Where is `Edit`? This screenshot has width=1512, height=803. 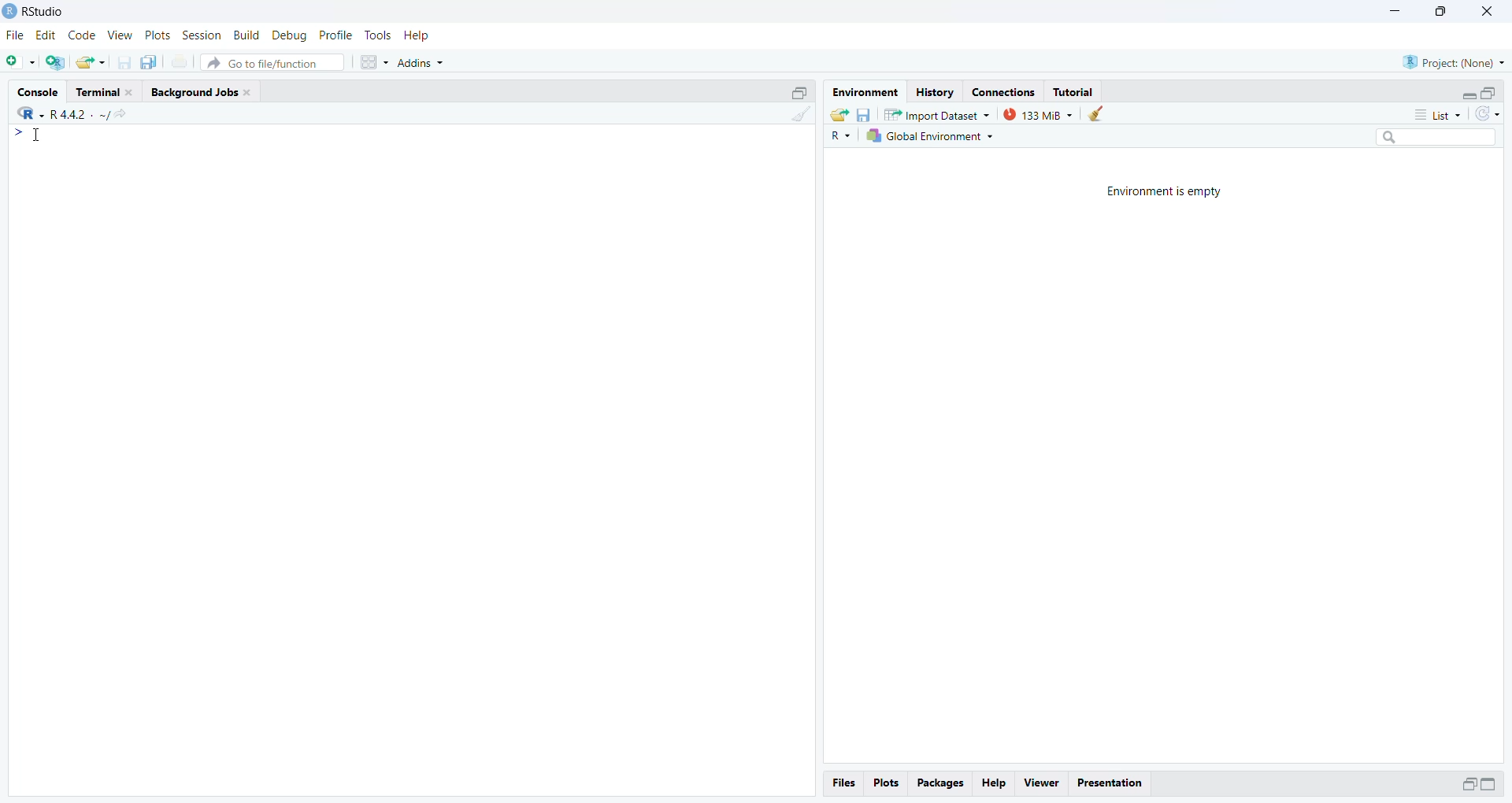
Edit is located at coordinates (47, 37).